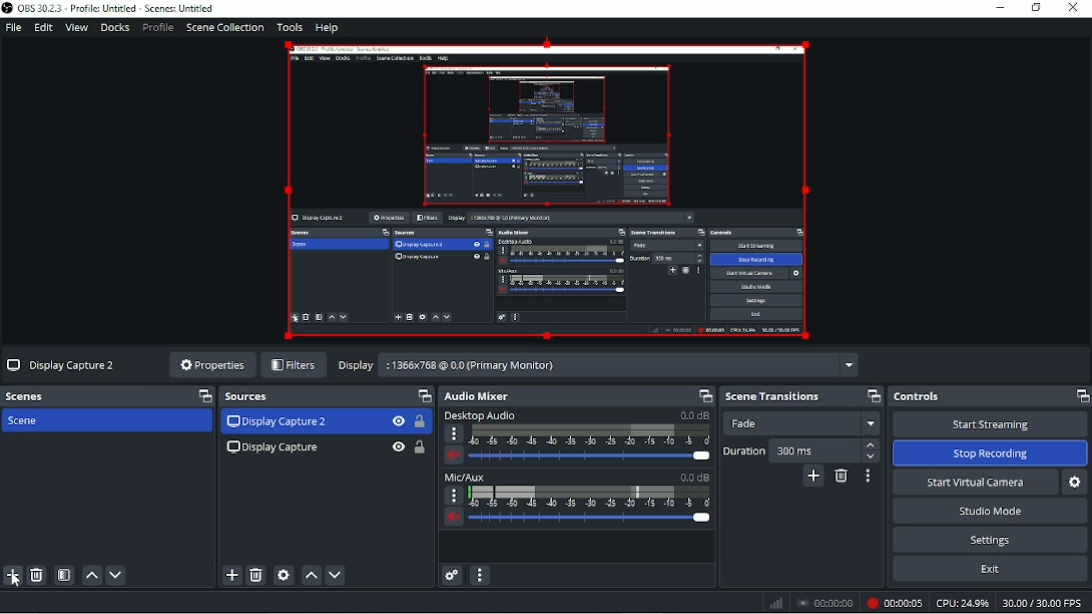 This screenshot has height=614, width=1092. What do you see at coordinates (324, 29) in the screenshot?
I see `Help` at bounding box center [324, 29].